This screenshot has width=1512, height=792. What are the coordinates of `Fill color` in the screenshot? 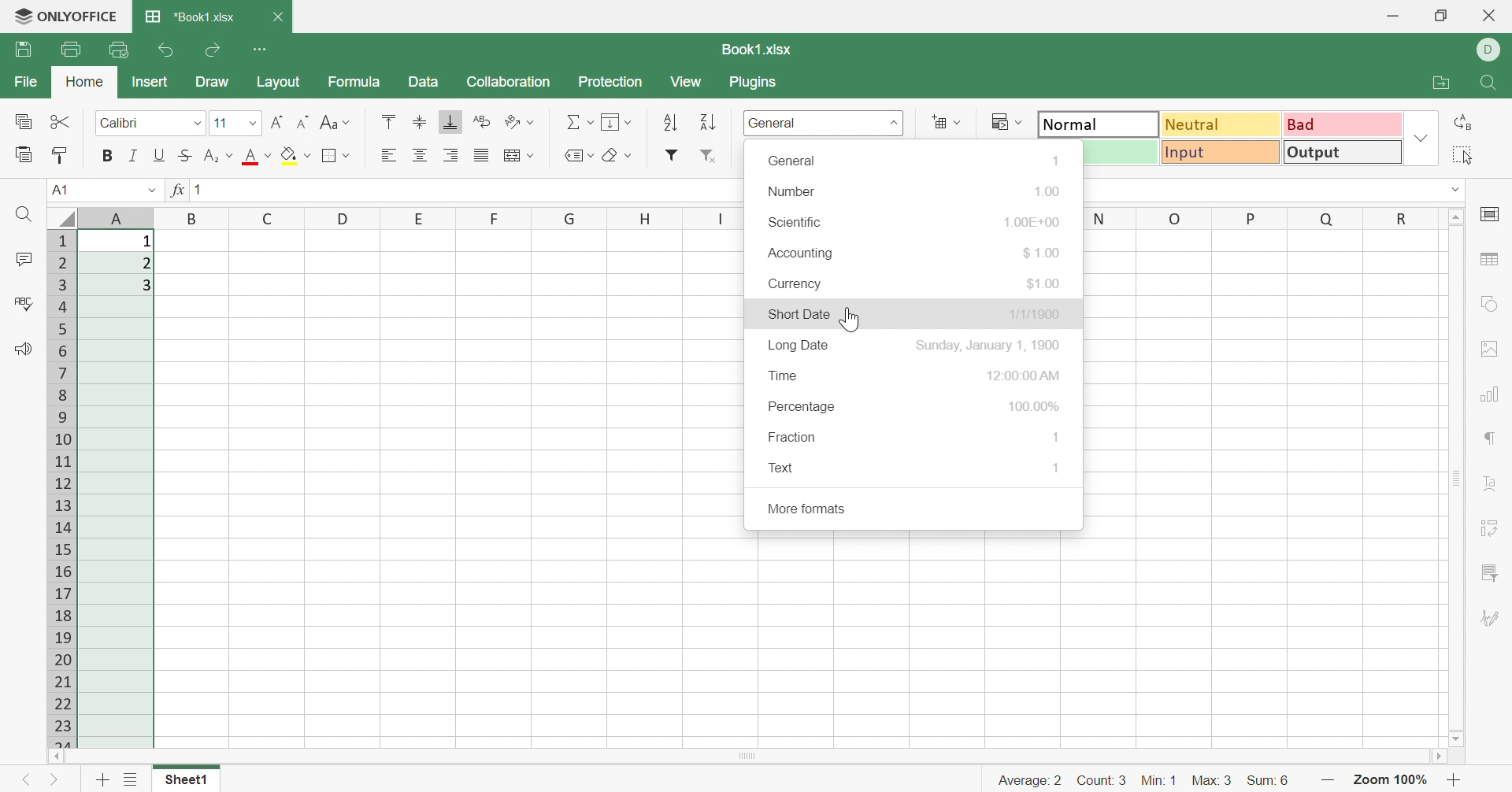 It's located at (295, 154).